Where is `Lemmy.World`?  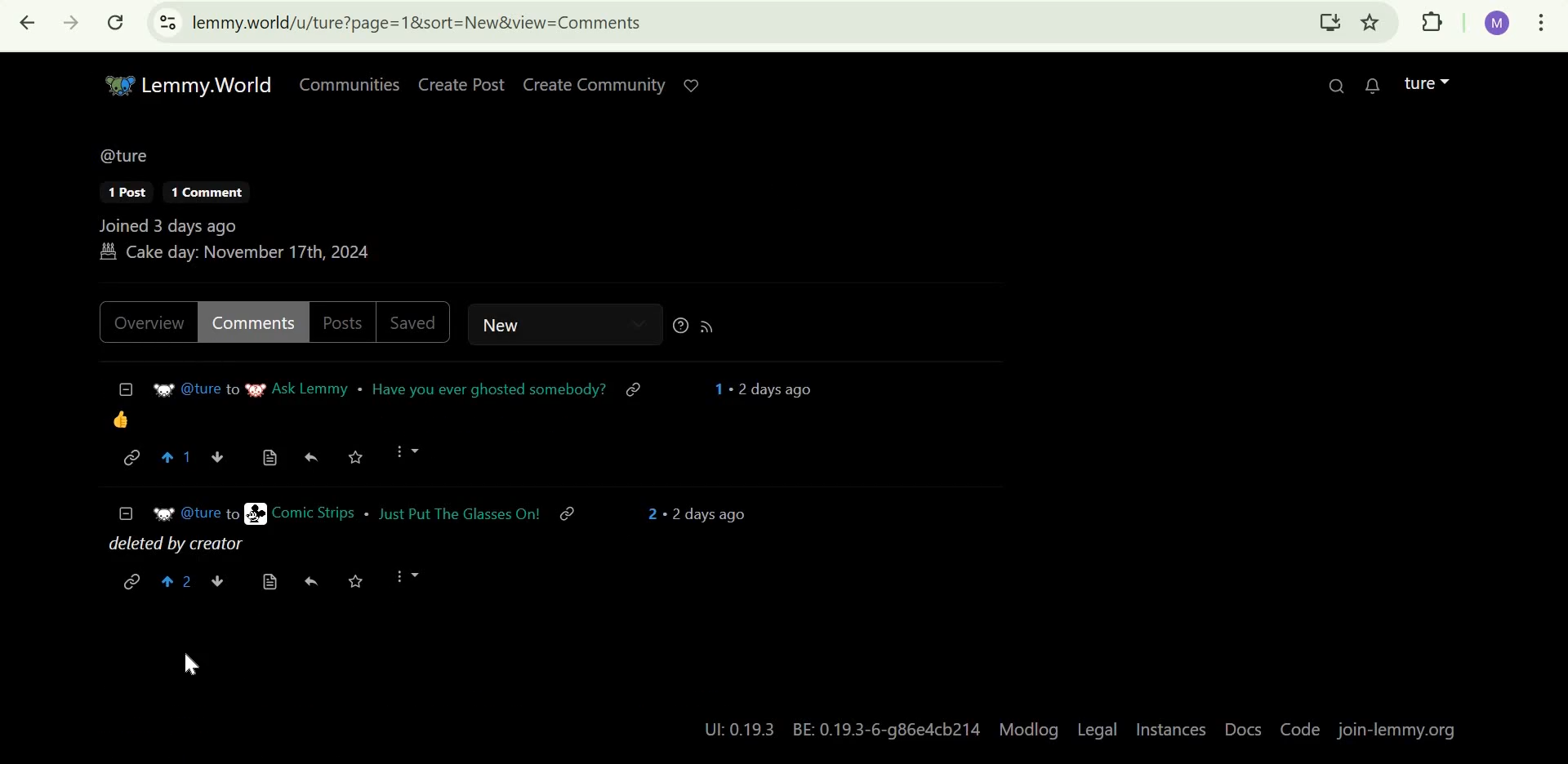
Lemmy.World is located at coordinates (183, 84).